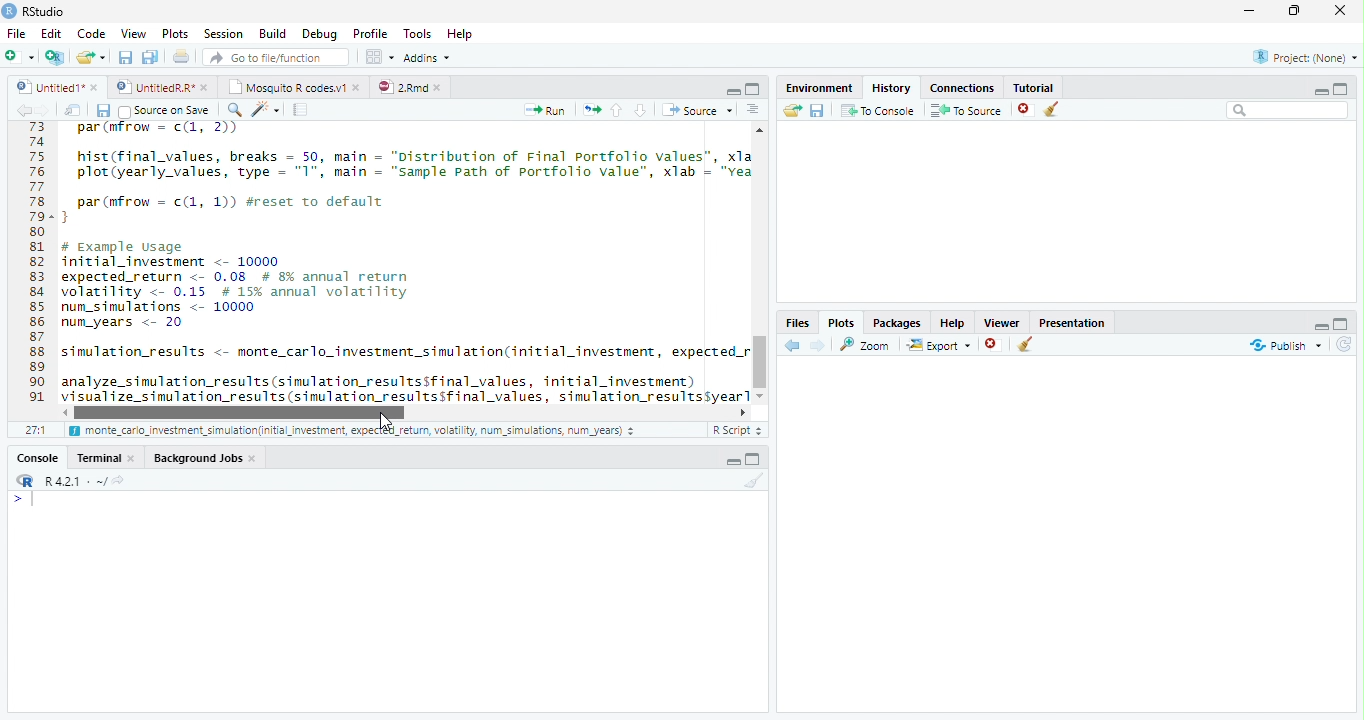  What do you see at coordinates (416, 34) in the screenshot?
I see `Tools` at bounding box center [416, 34].